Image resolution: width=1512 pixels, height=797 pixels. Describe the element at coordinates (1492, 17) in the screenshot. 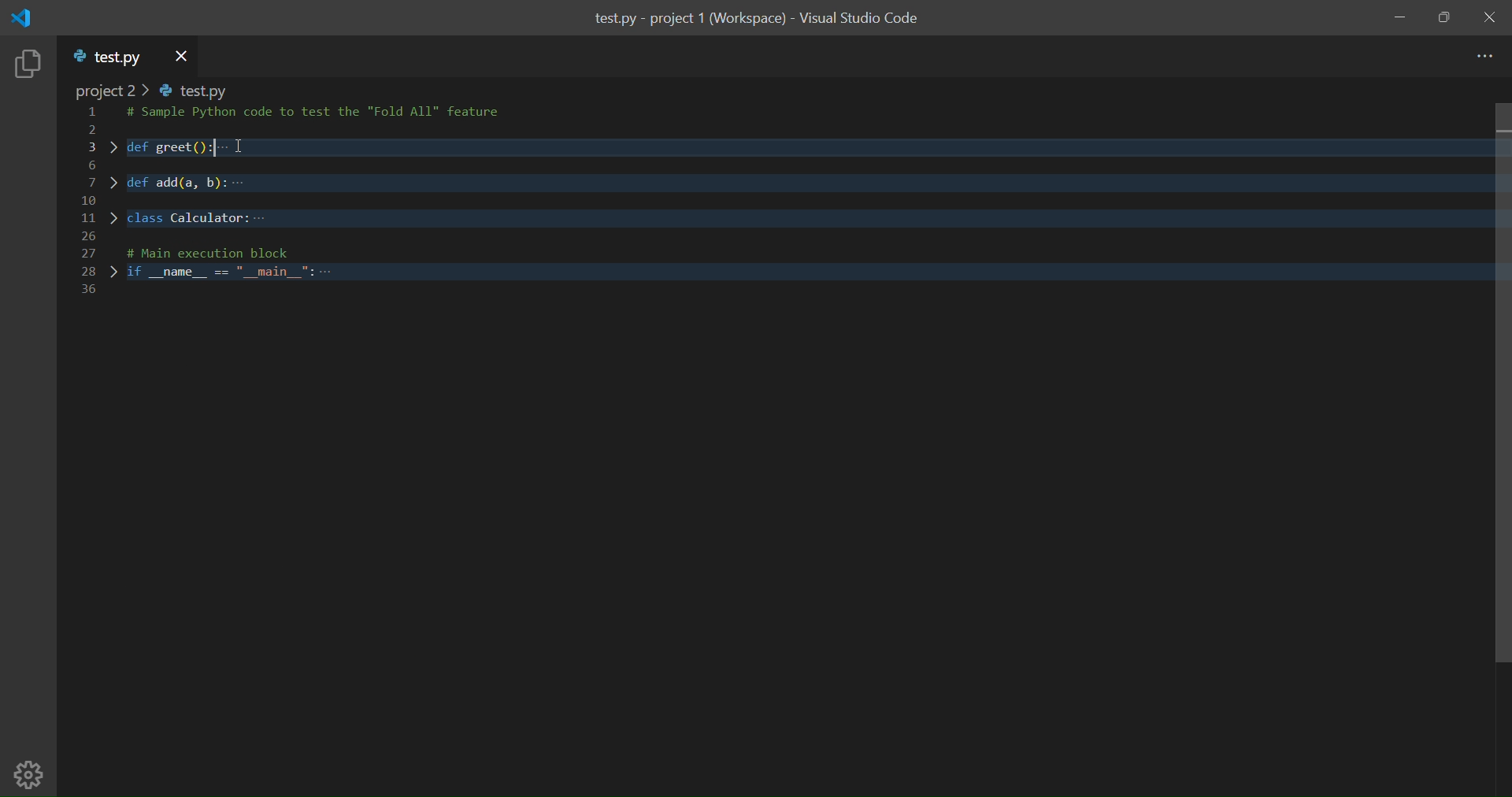

I see `close` at that location.